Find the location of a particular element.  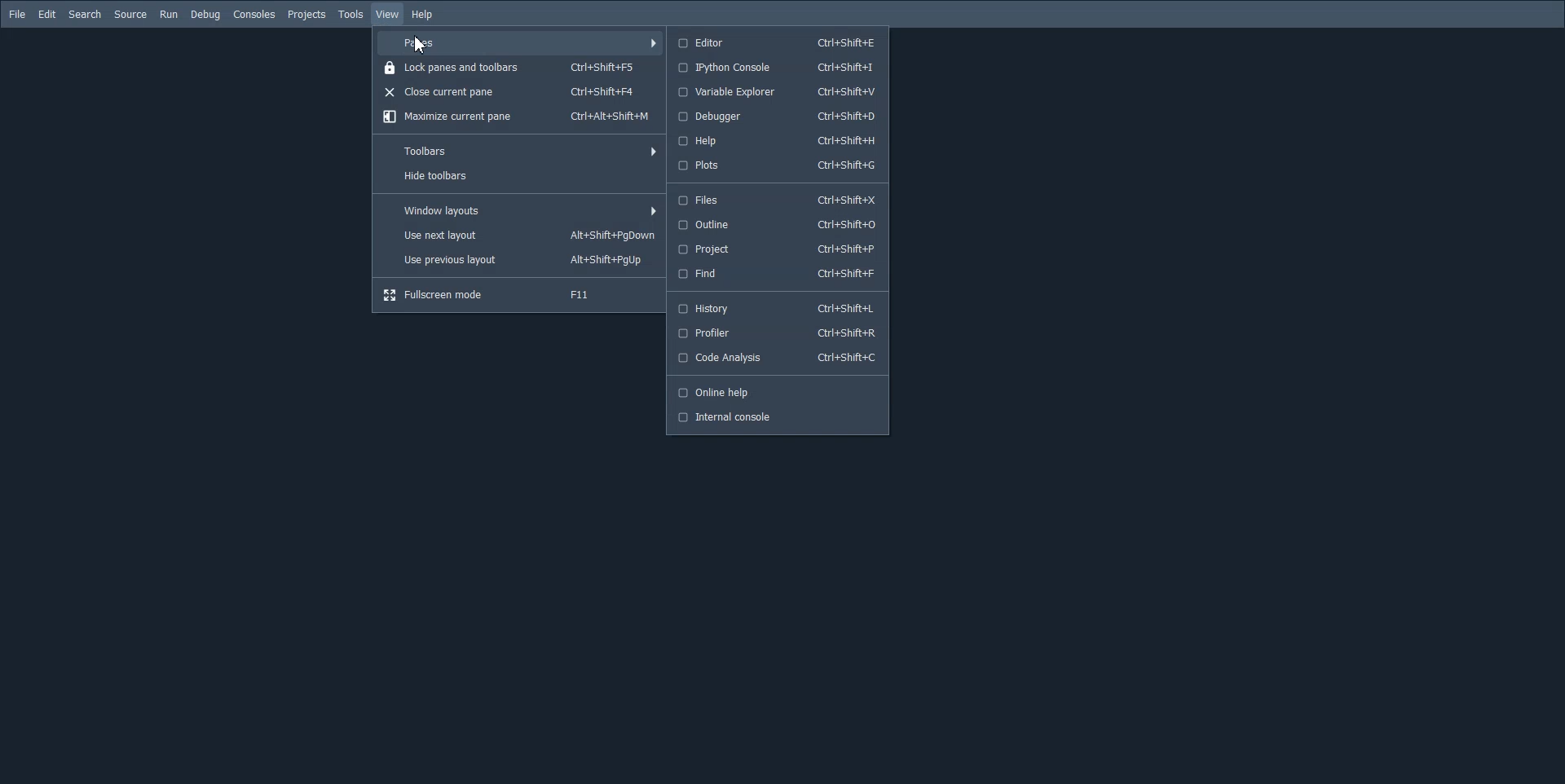

Use next layout is located at coordinates (518, 236).